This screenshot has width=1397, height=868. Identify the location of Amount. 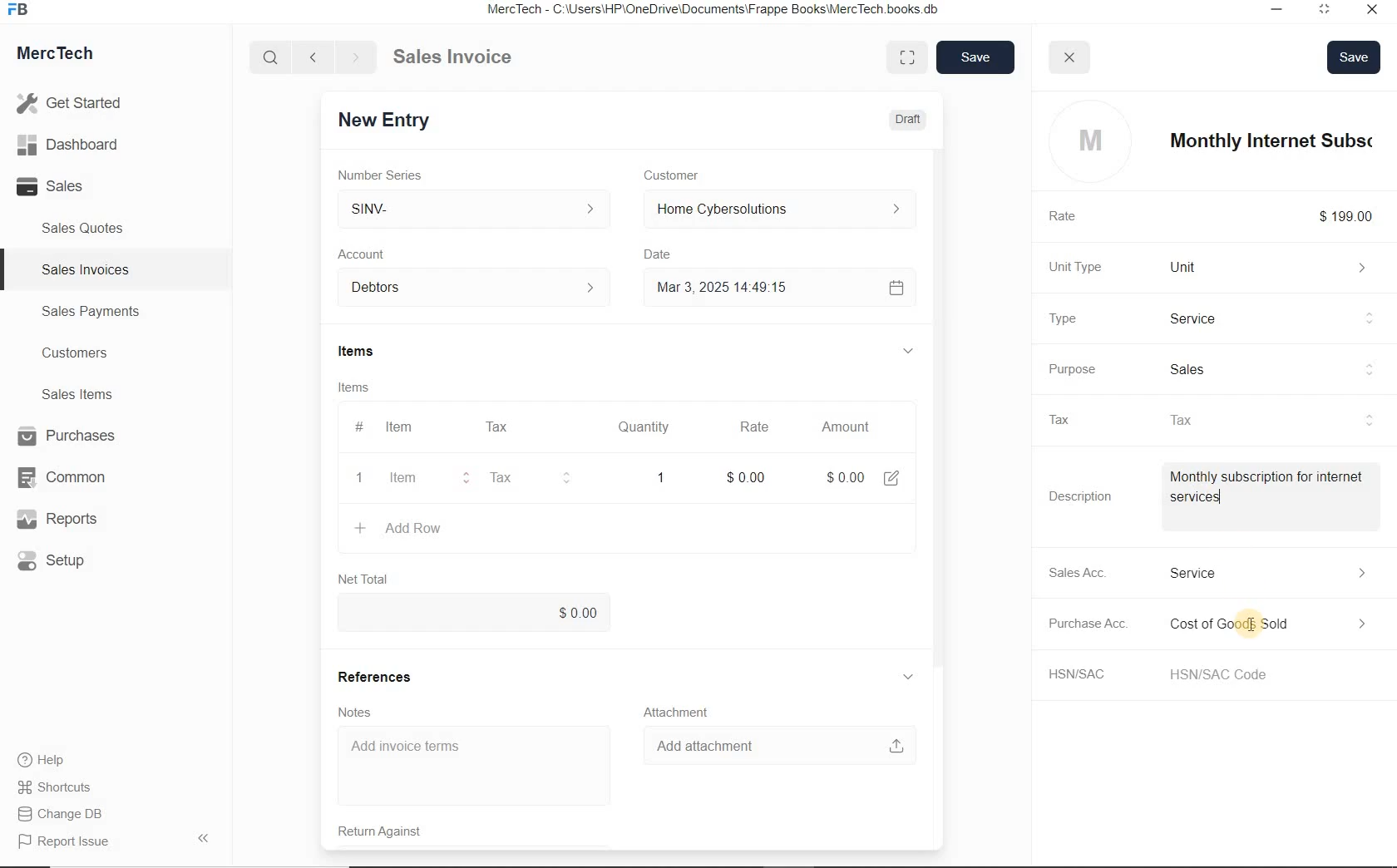
(842, 427).